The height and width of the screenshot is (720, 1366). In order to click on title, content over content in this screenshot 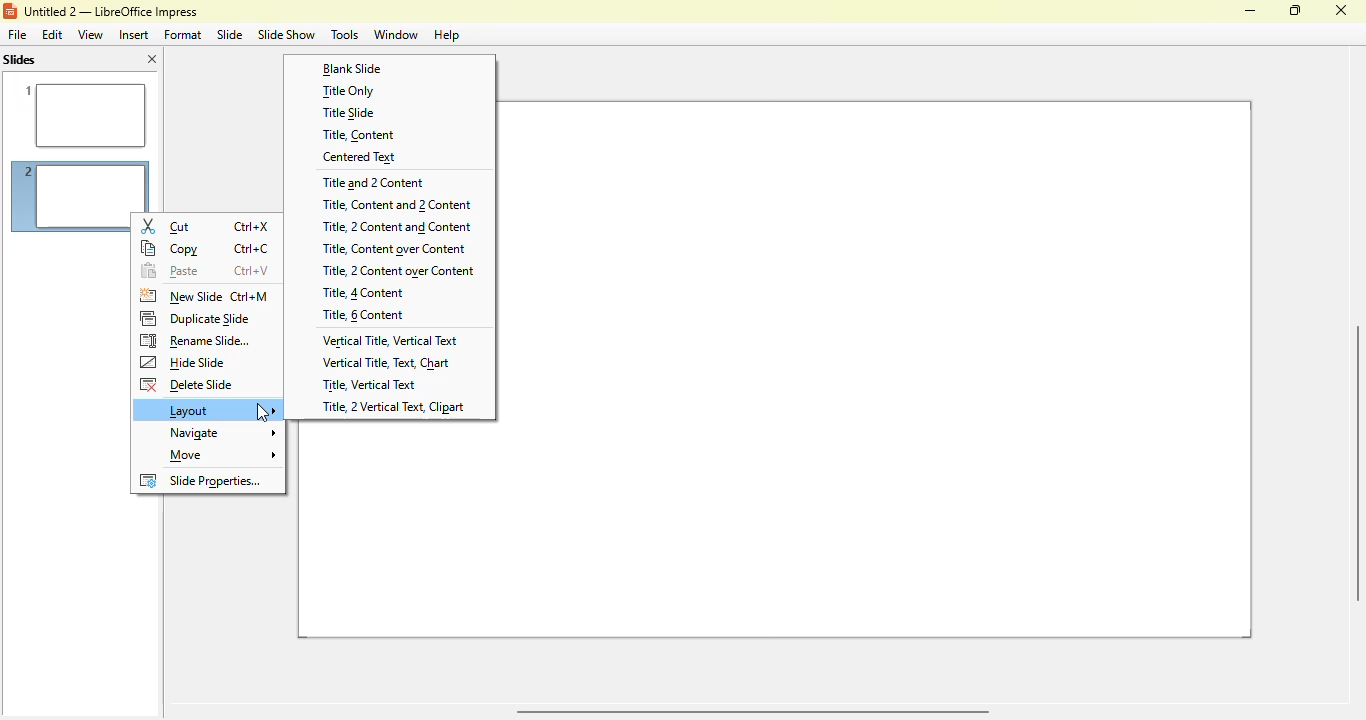, I will do `click(394, 249)`.